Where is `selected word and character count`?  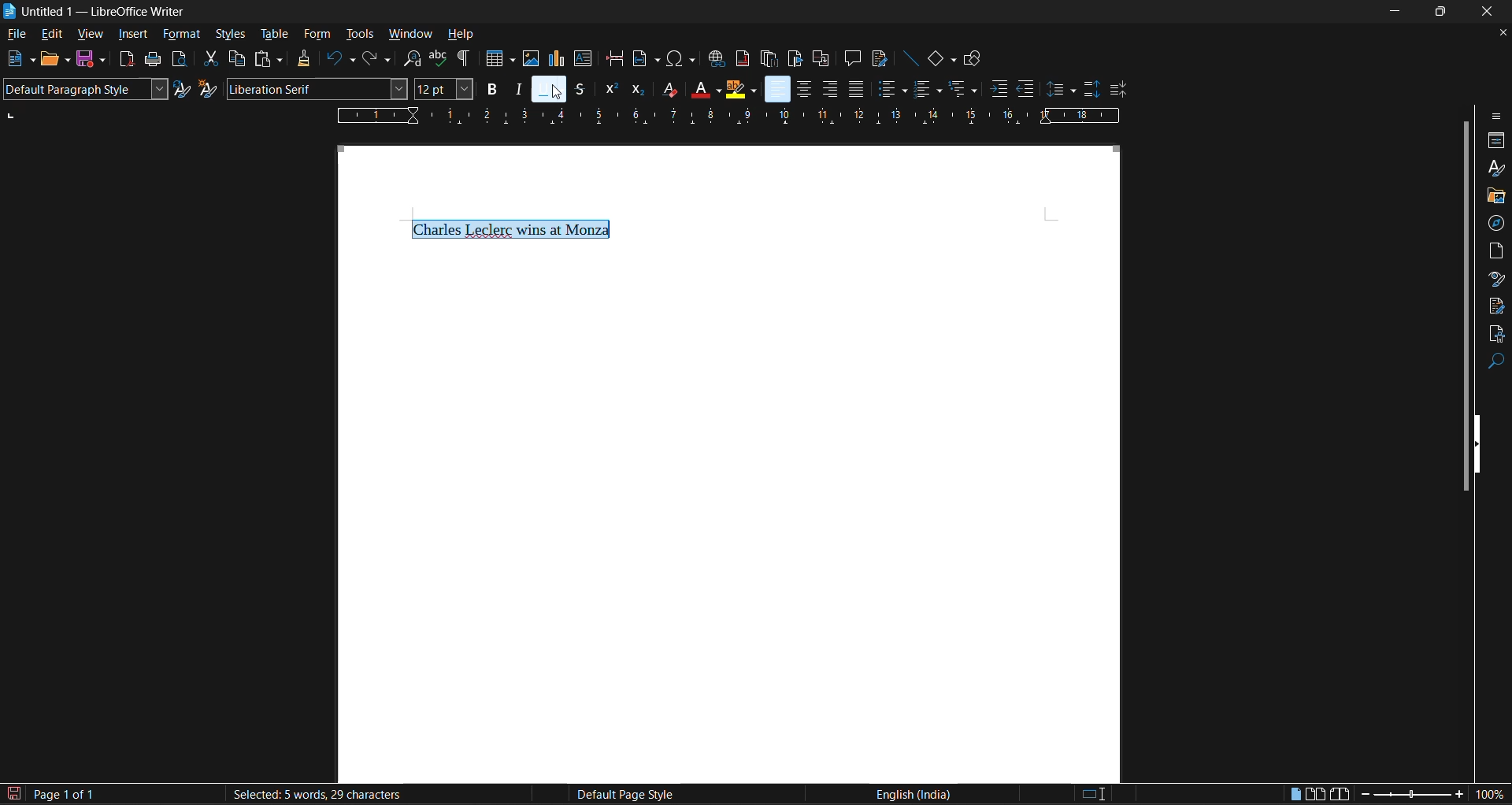
selected word and character count is located at coordinates (315, 795).